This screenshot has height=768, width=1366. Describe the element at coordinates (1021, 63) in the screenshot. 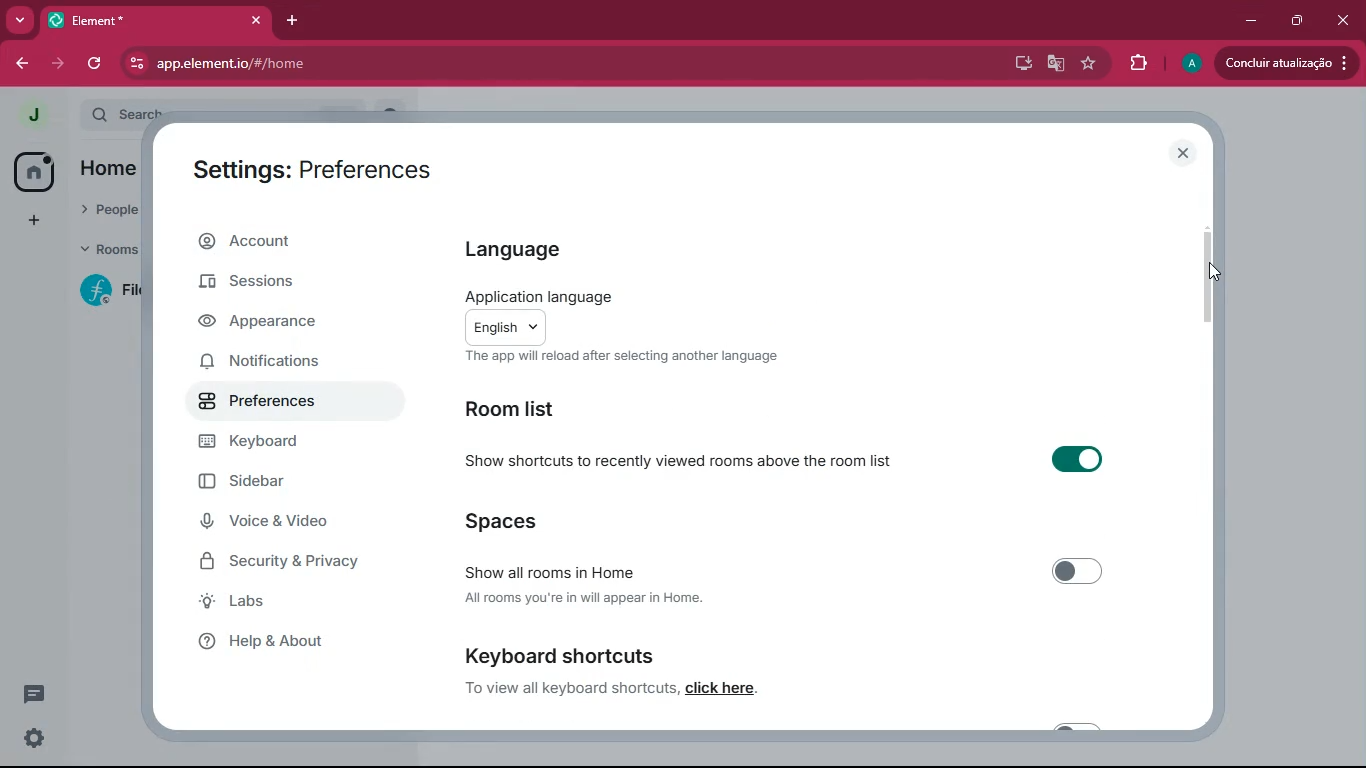

I see `desktop` at that location.